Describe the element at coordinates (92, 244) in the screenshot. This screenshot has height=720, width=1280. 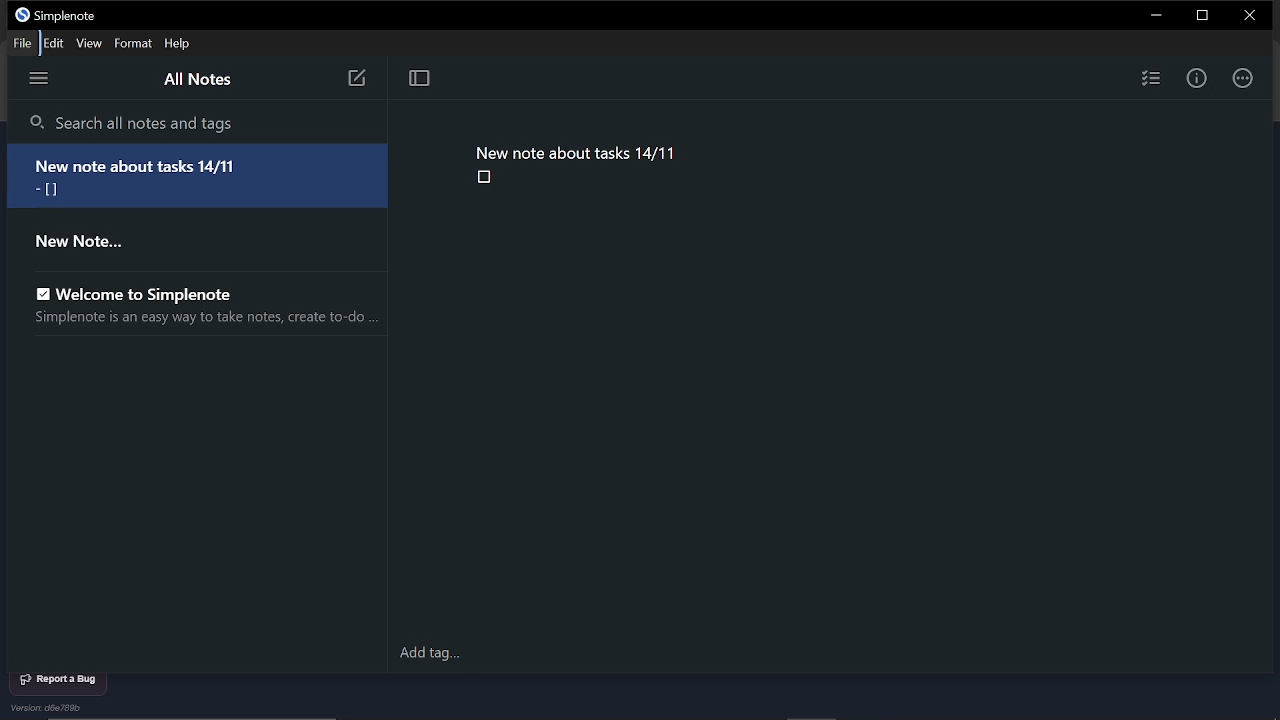
I see `New Note...` at that location.